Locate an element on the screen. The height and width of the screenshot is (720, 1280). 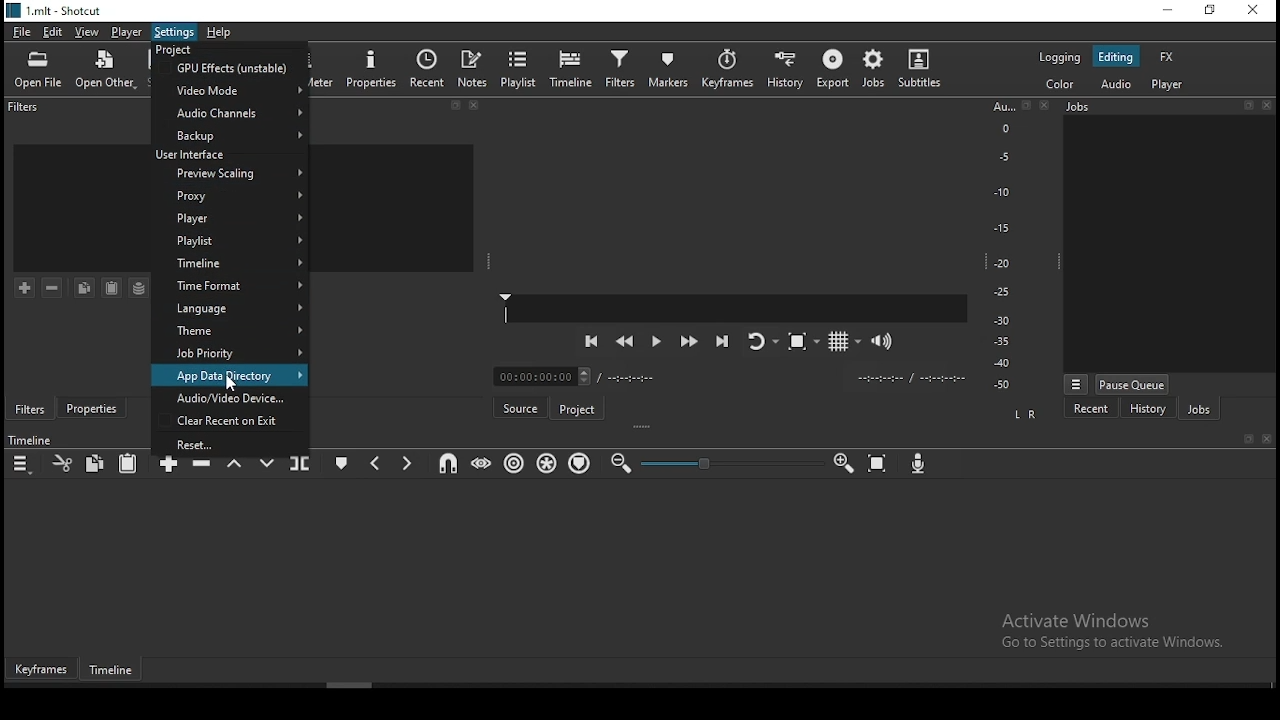
ripple delete is located at coordinates (202, 465).